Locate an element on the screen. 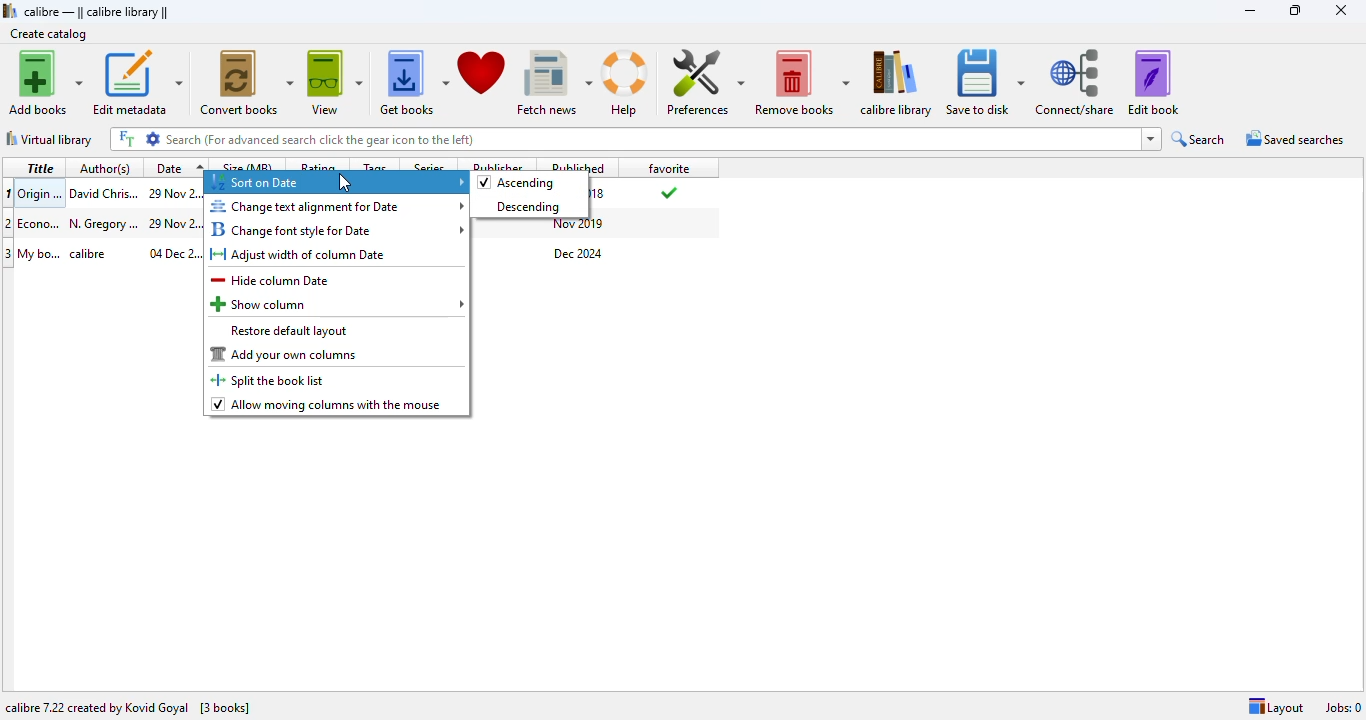  edit book is located at coordinates (1153, 82).